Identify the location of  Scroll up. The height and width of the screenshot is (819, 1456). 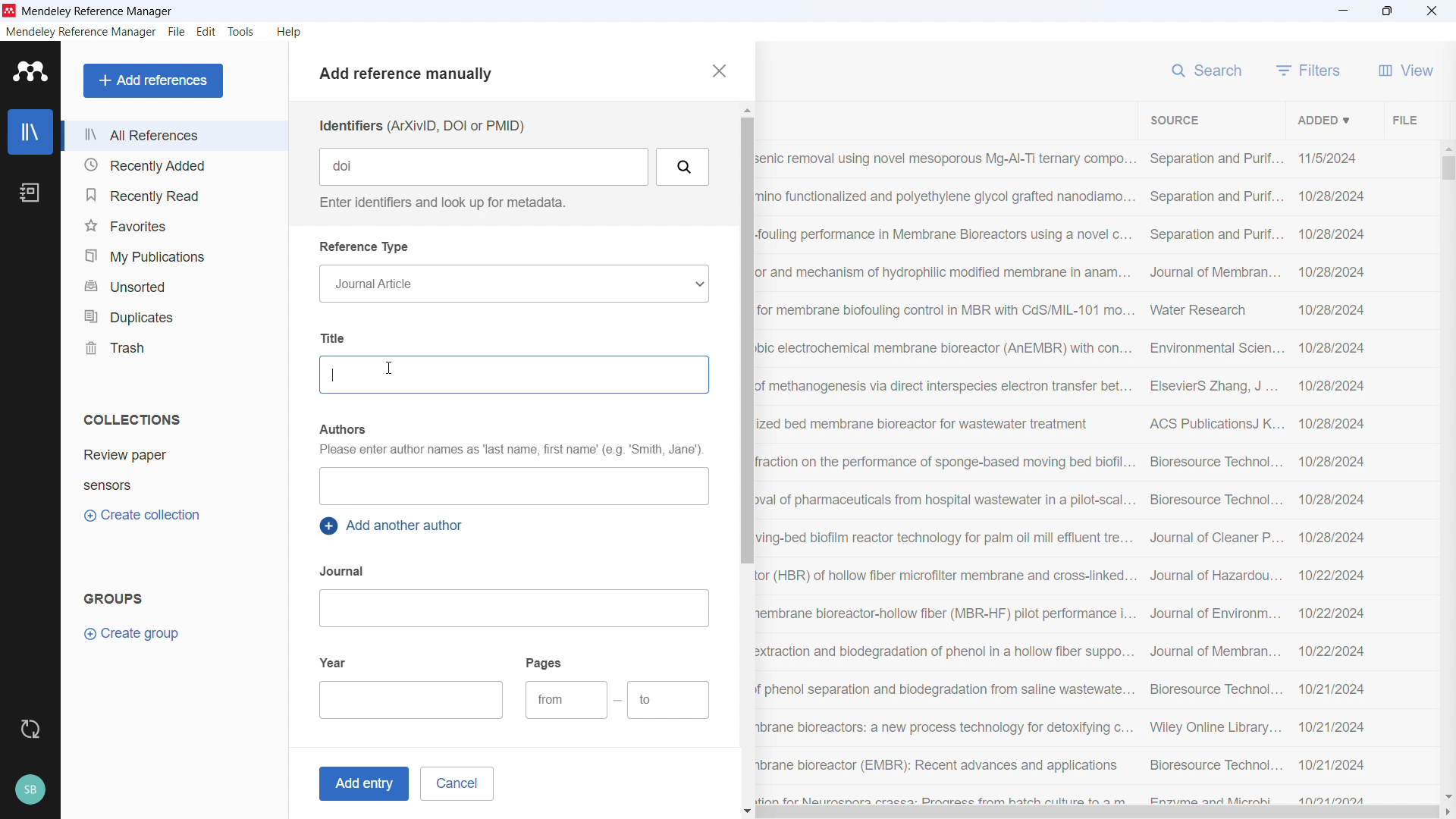
(745, 110).